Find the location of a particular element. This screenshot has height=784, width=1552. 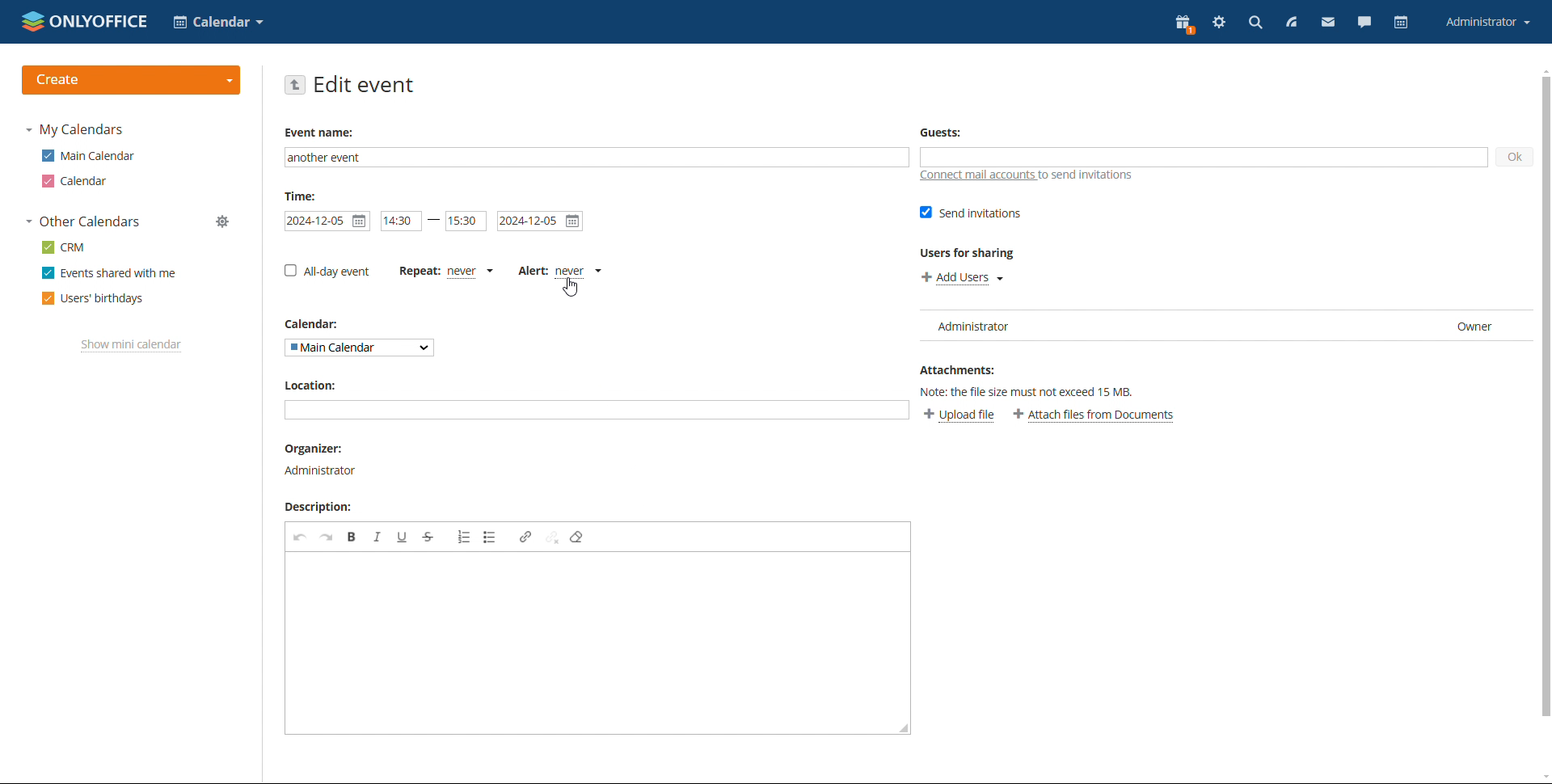

insert/remove bulleted list is located at coordinates (490, 537).